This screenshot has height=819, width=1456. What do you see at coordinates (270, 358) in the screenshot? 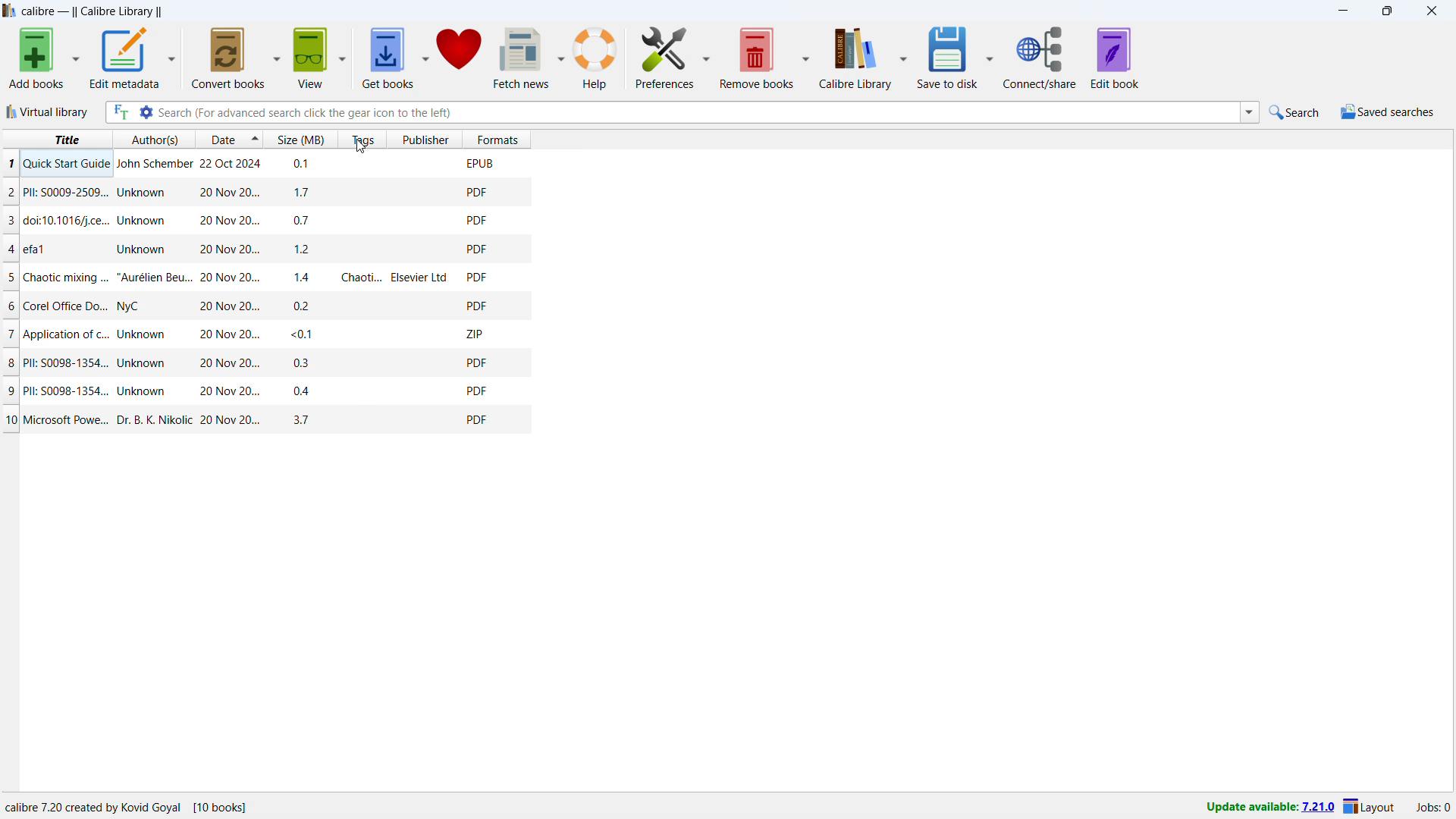
I see `8 PII: S0098-1354... Unknown 20 Nov 20... 03 PDF` at bounding box center [270, 358].